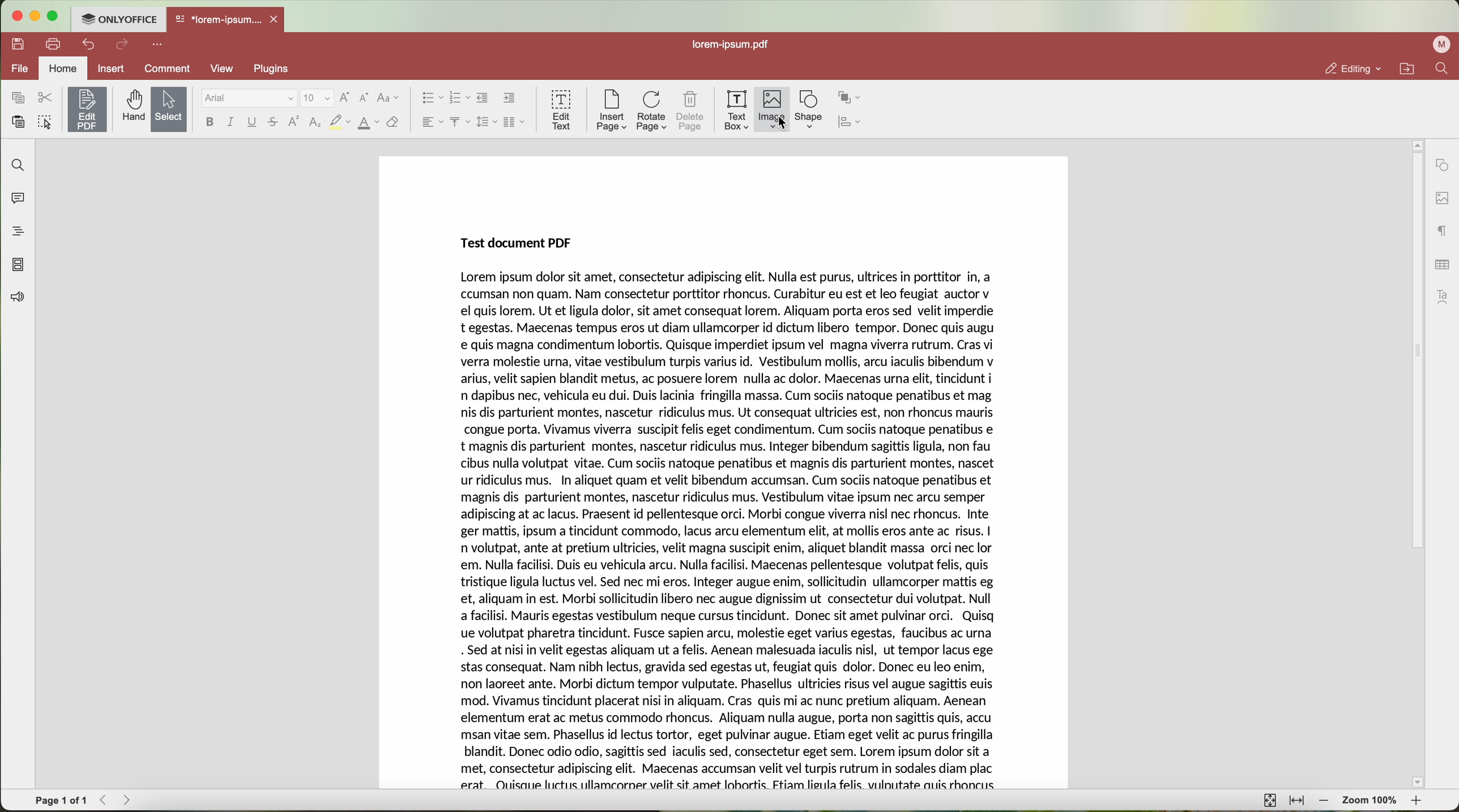  What do you see at coordinates (54, 16) in the screenshot?
I see `maximize` at bounding box center [54, 16].